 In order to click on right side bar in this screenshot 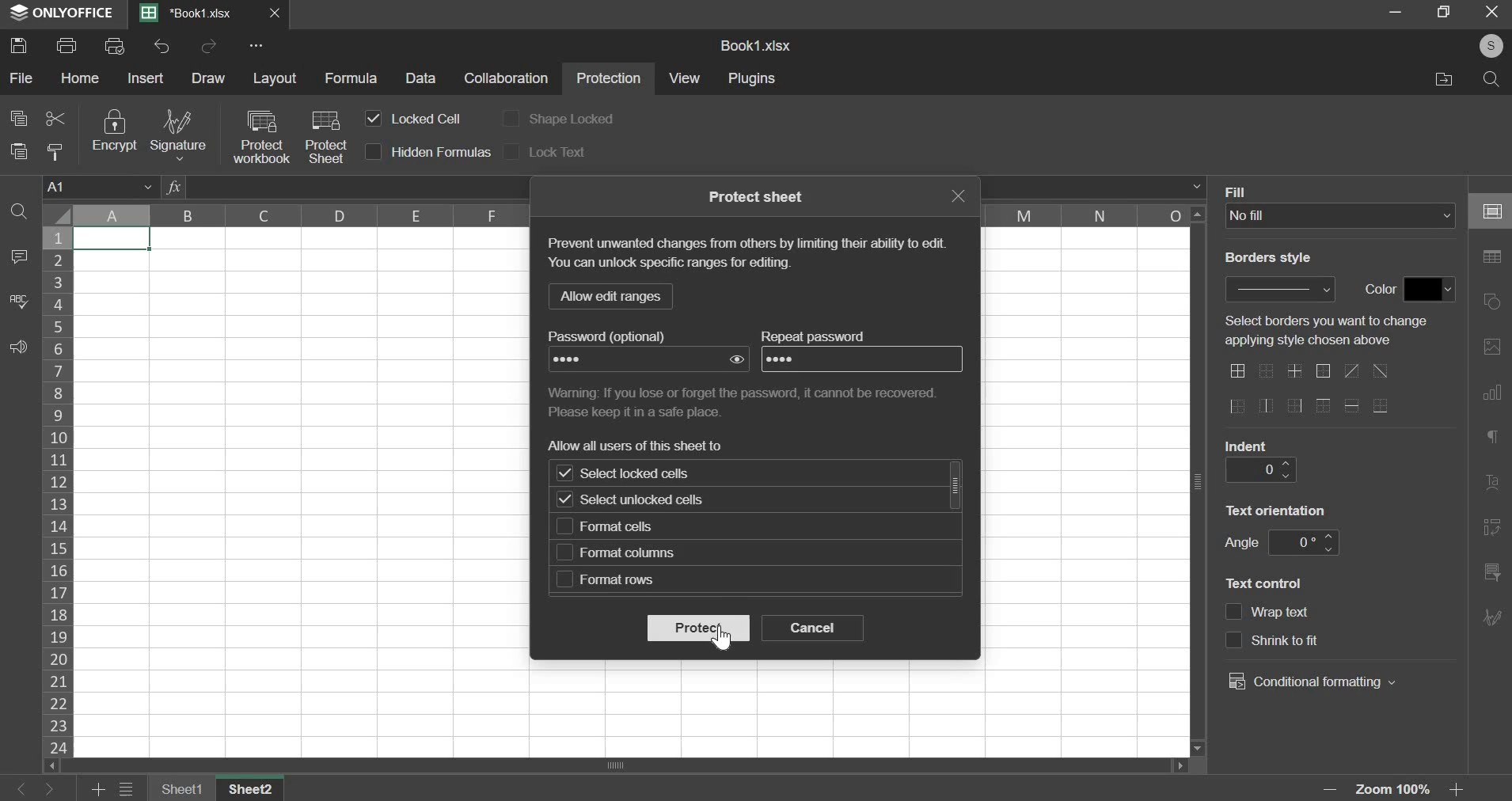, I will do `click(1492, 615)`.